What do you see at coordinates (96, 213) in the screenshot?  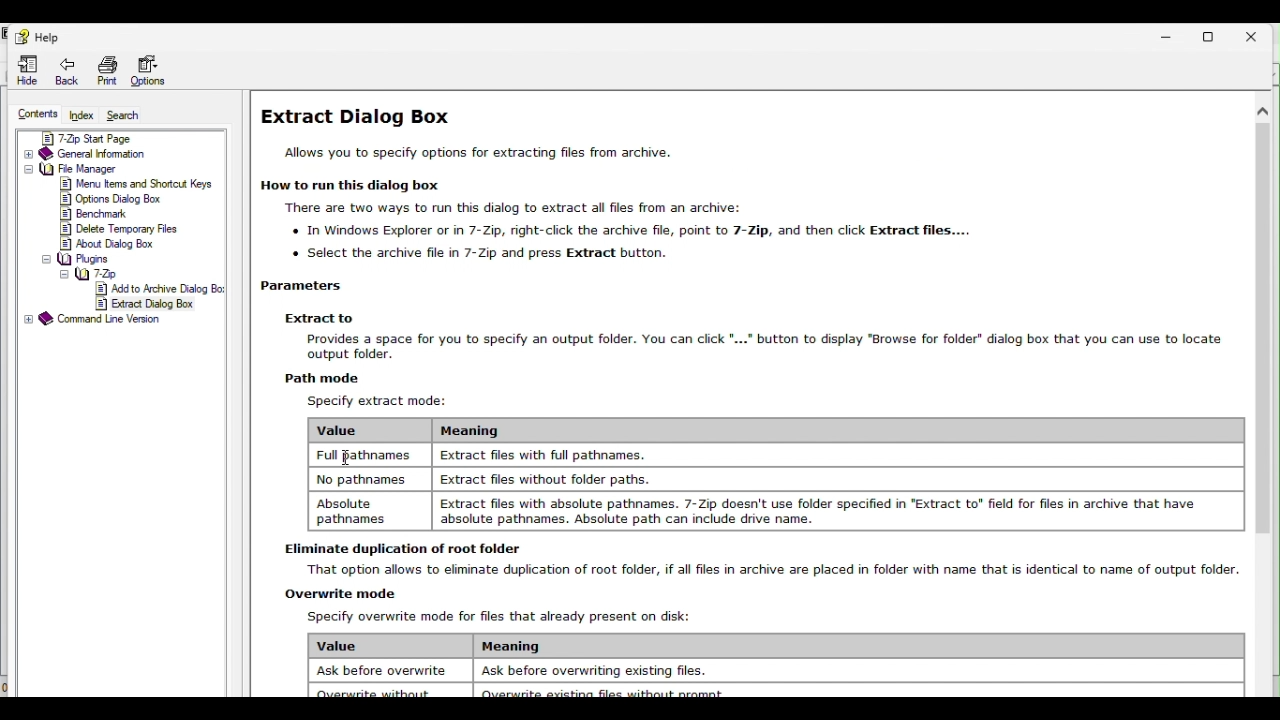 I see `benchmark` at bounding box center [96, 213].